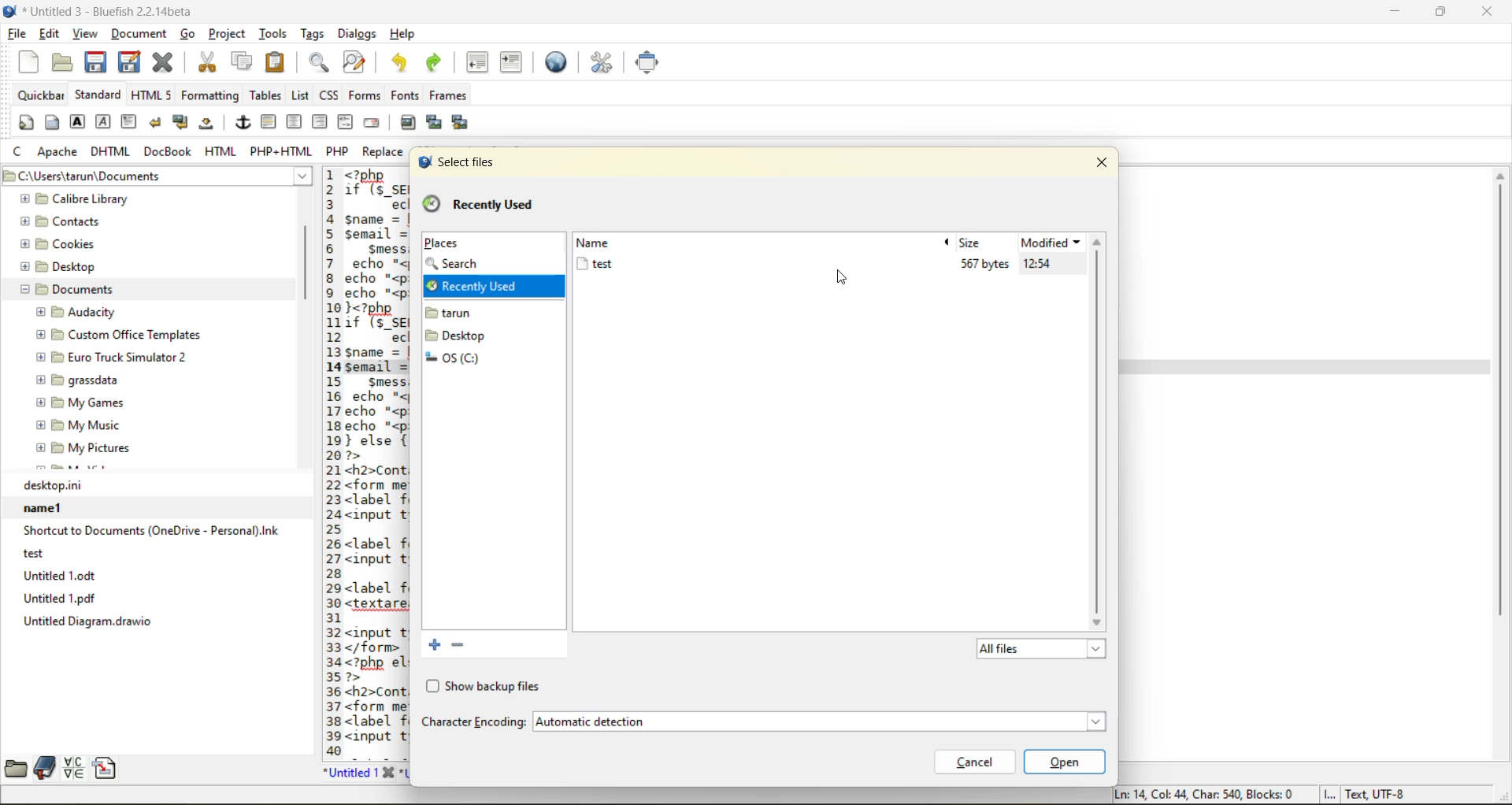 Image resolution: width=1512 pixels, height=805 pixels. What do you see at coordinates (385, 152) in the screenshot?
I see `replace` at bounding box center [385, 152].